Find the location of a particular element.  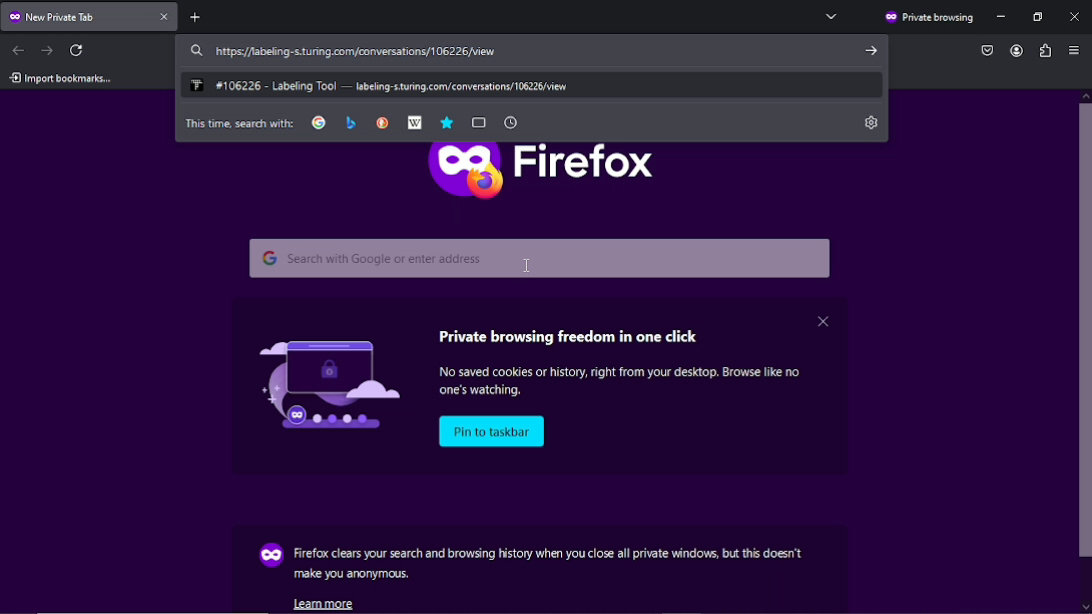

close is located at coordinates (822, 320).